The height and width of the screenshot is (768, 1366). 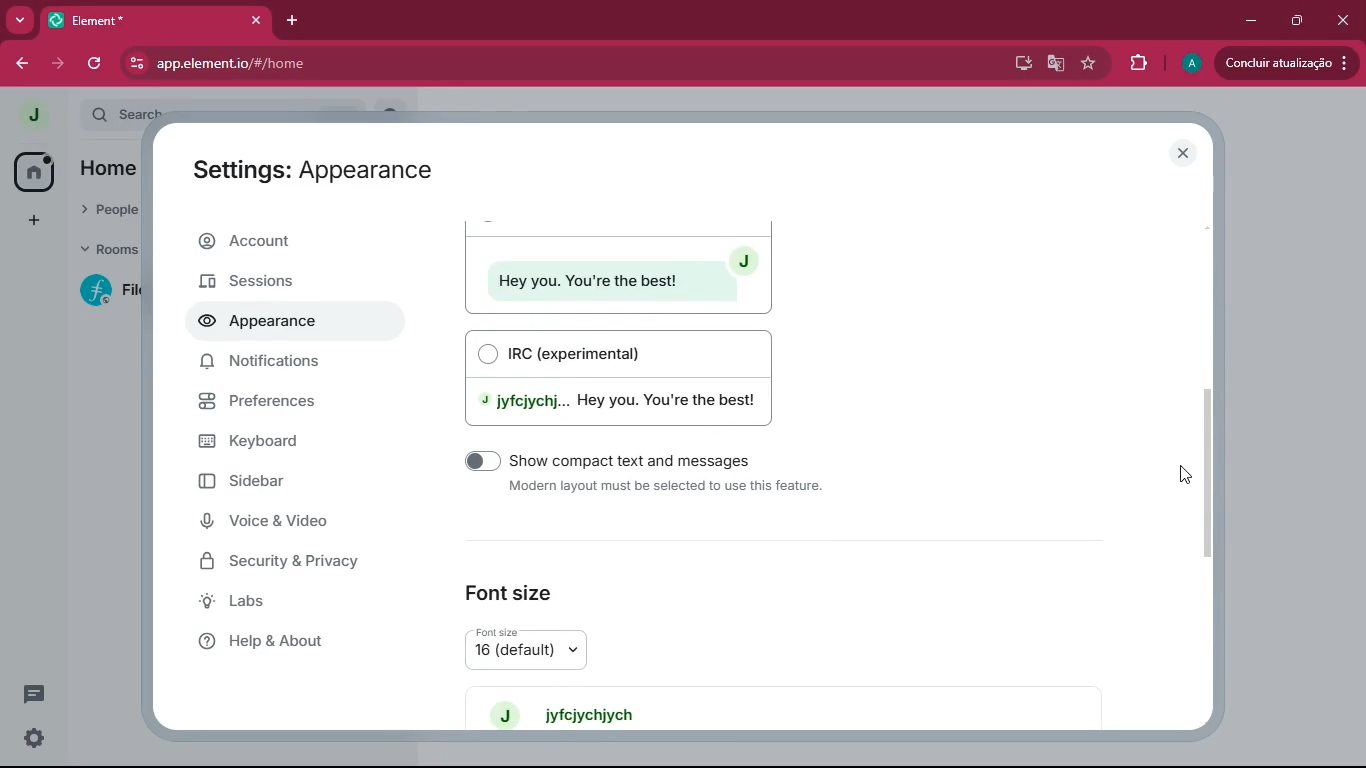 What do you see at coordinates (1019, 64) in the screenshot?
I see `desktop` at bounding box center [1019, 64].